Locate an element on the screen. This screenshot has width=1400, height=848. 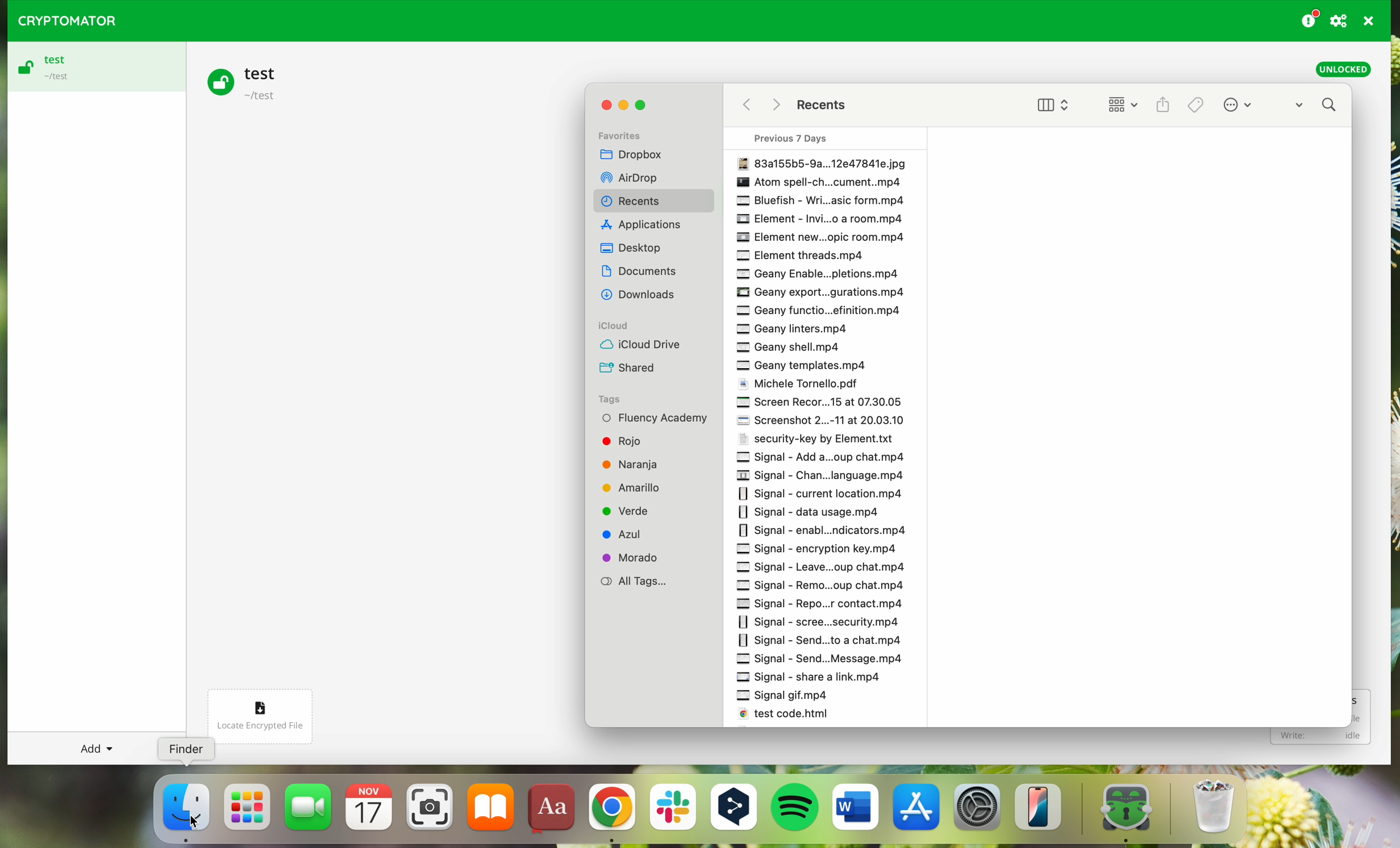
preferences is located at coordinates (1340, 20).